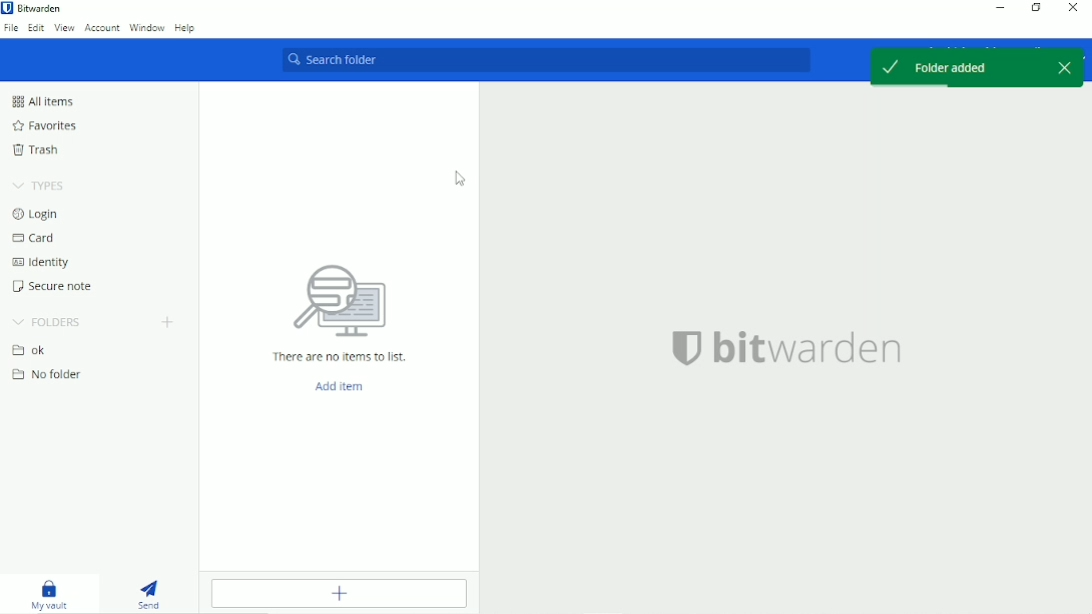 The image size is (1092, 614). I want to click on Bitwarden, so click(40, 9).